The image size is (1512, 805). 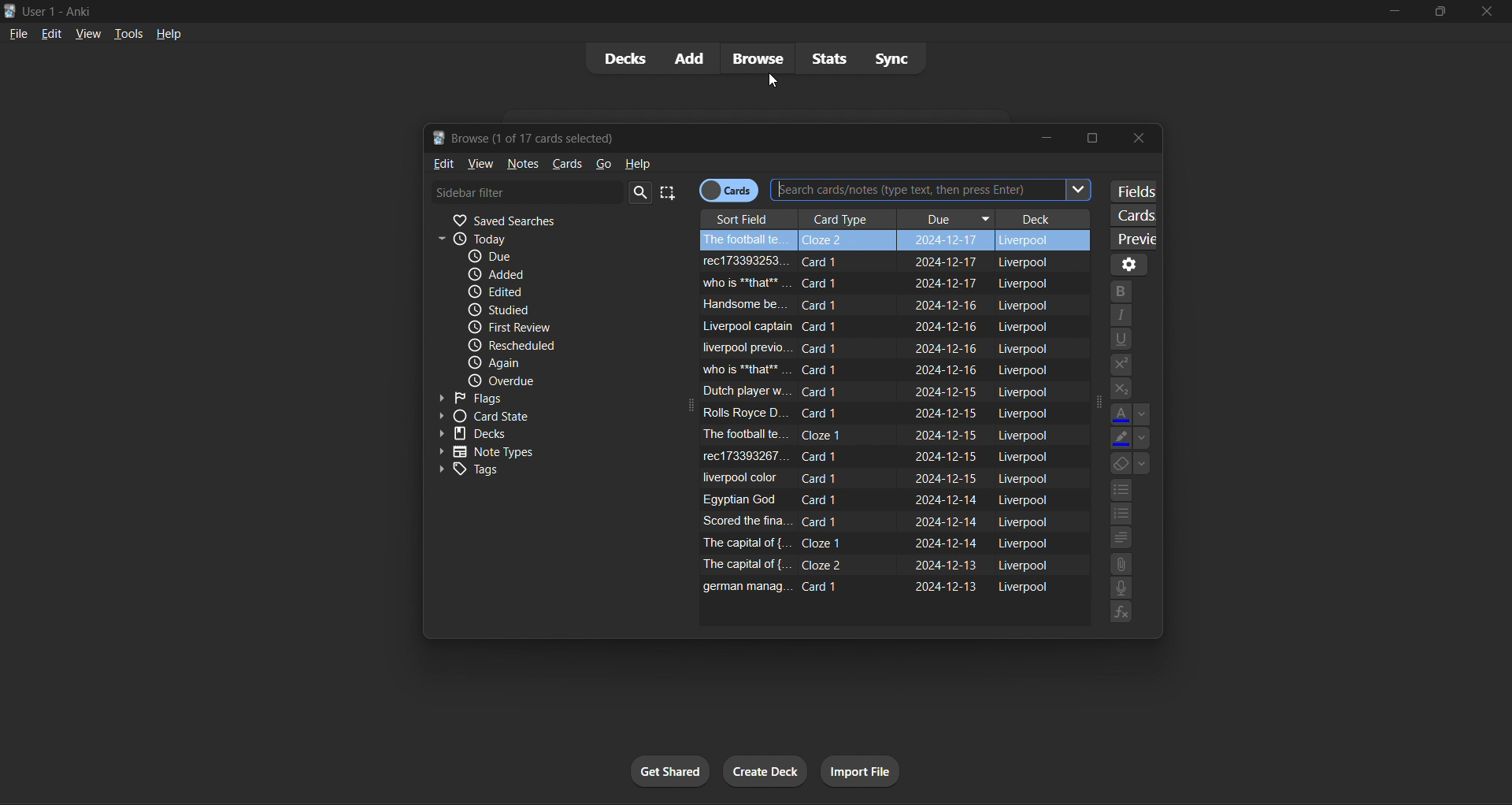 I want to click on card 1, so click(x=831, y=500).